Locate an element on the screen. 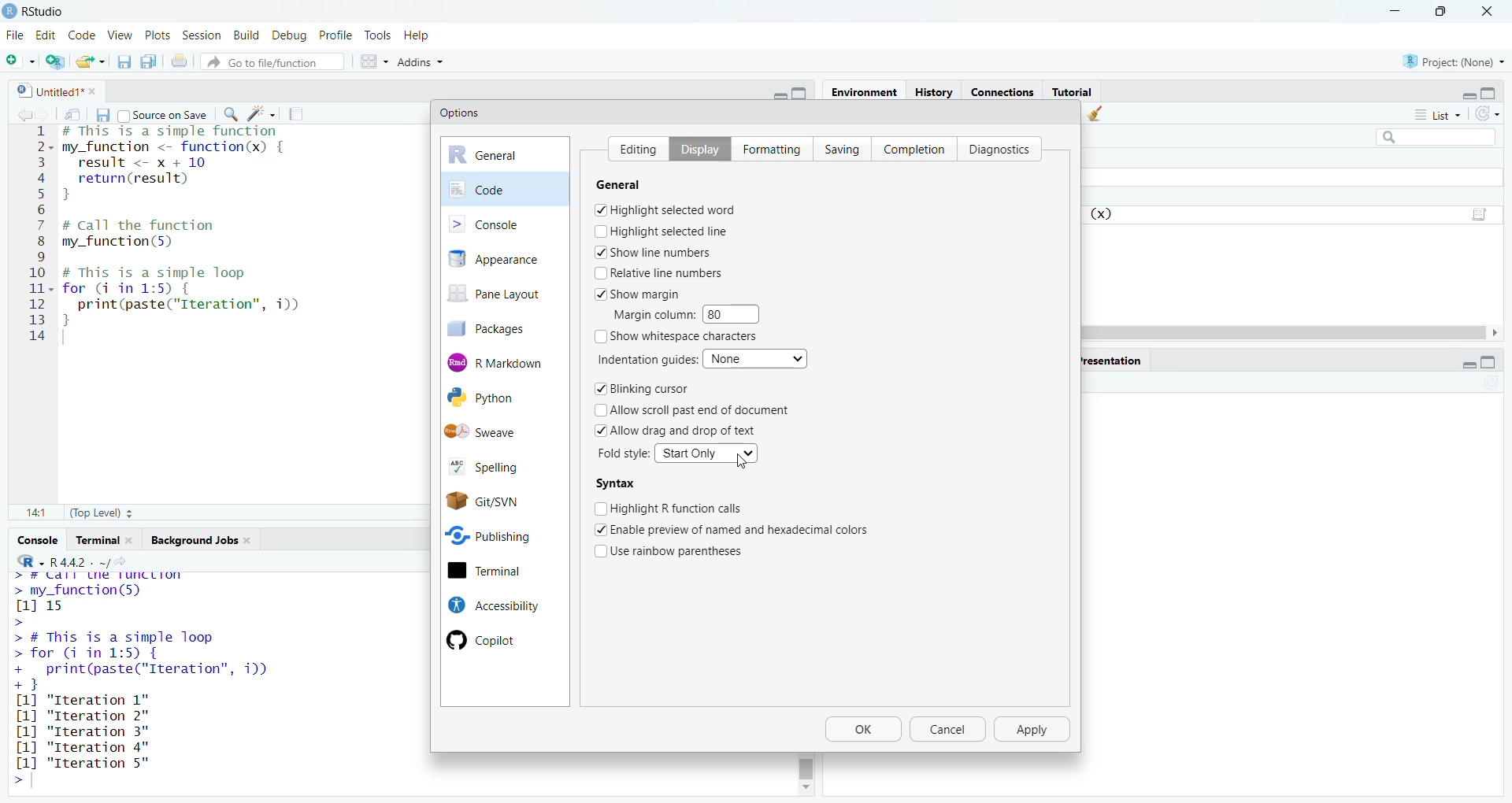 The image size is (1512, 803). [1] "Iteration 5" is located at coordinates (80, 763).